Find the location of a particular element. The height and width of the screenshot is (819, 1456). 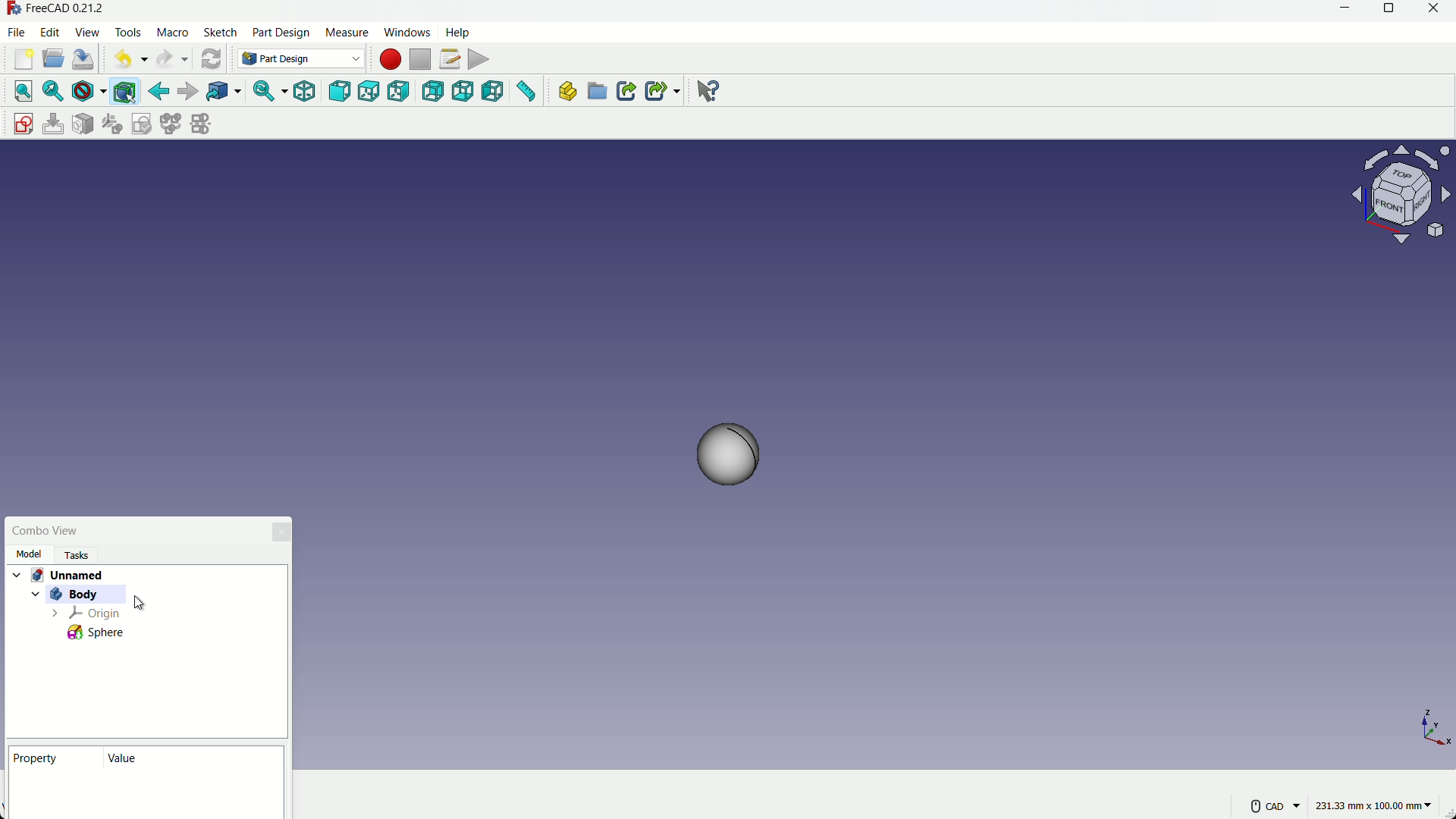

switch workbenches is located at coordinates (298, 58).